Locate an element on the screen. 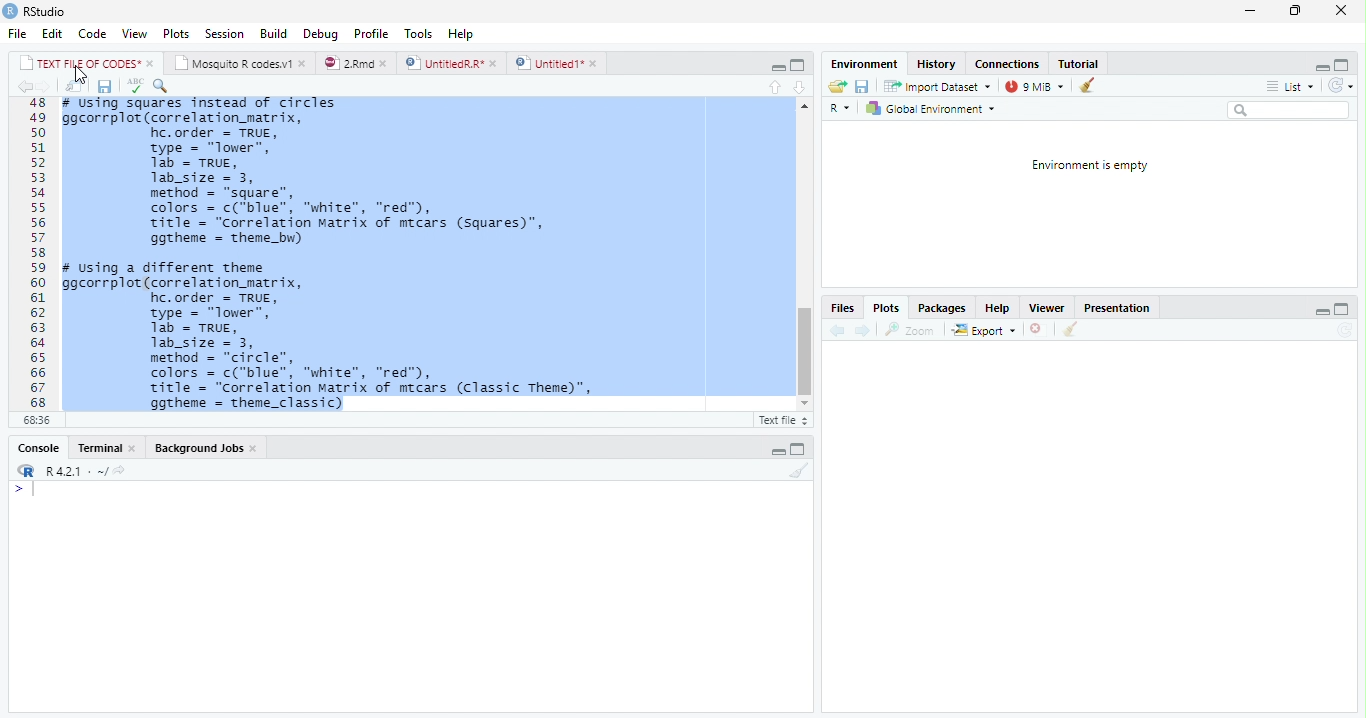 Image resolution: width=1366 pixels, height=718 pixels. Mosautto & cosesy is located at coordinates (244, 64).